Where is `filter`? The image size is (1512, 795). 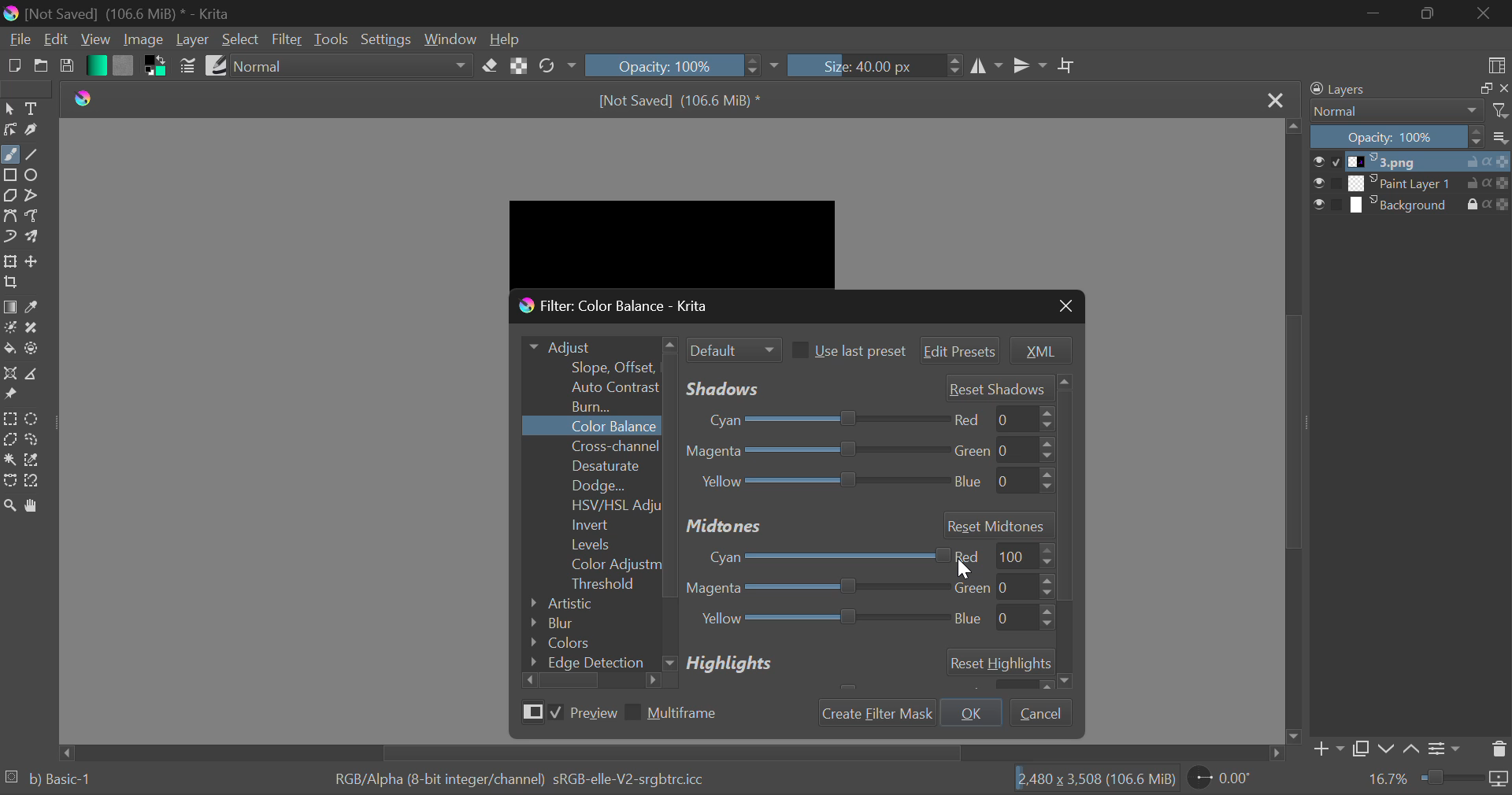
filter is located at coordinates (1499, 112).